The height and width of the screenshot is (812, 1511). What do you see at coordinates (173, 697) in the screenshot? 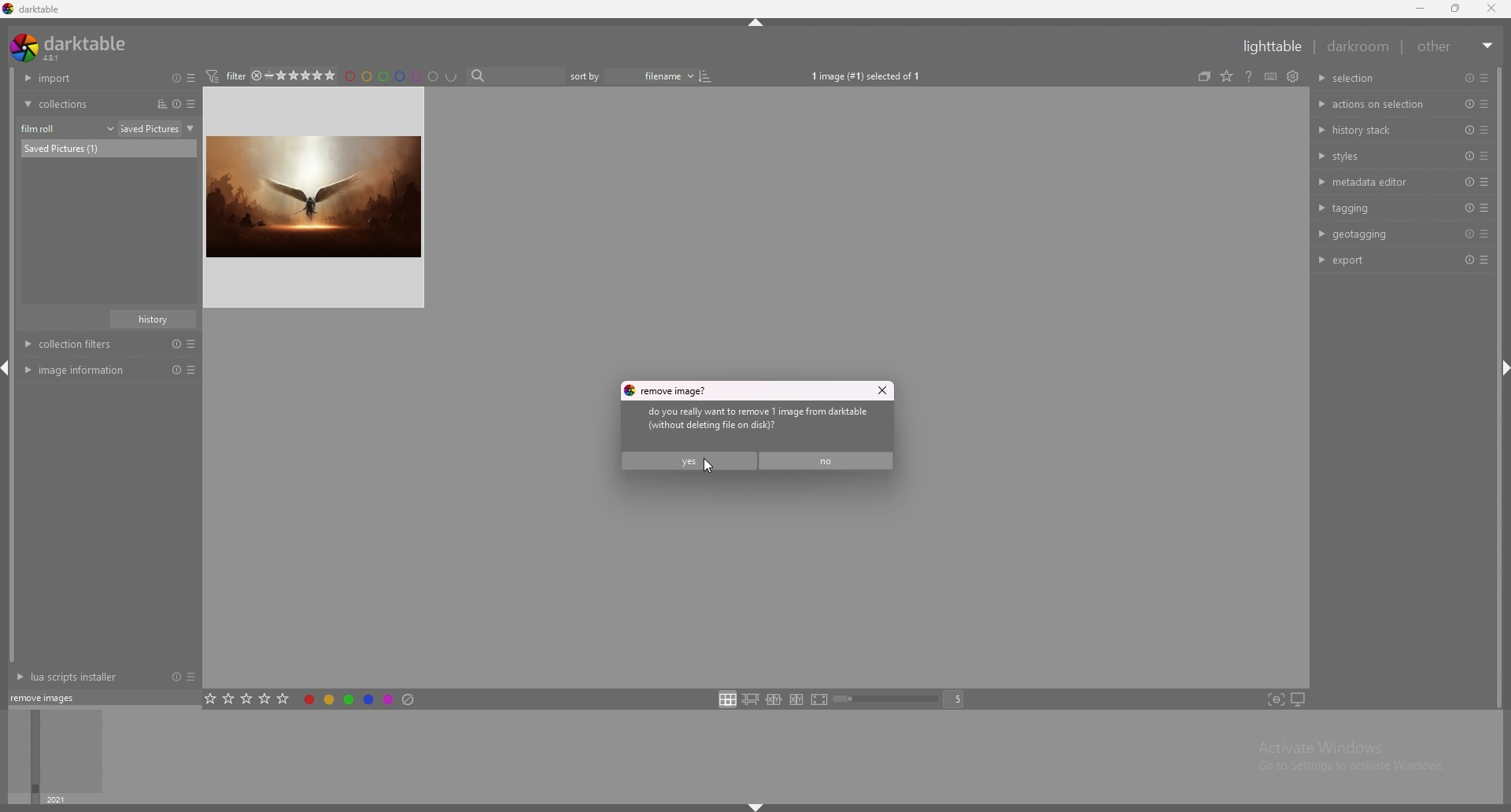
I see `reset` at bounding box center [173, 697].